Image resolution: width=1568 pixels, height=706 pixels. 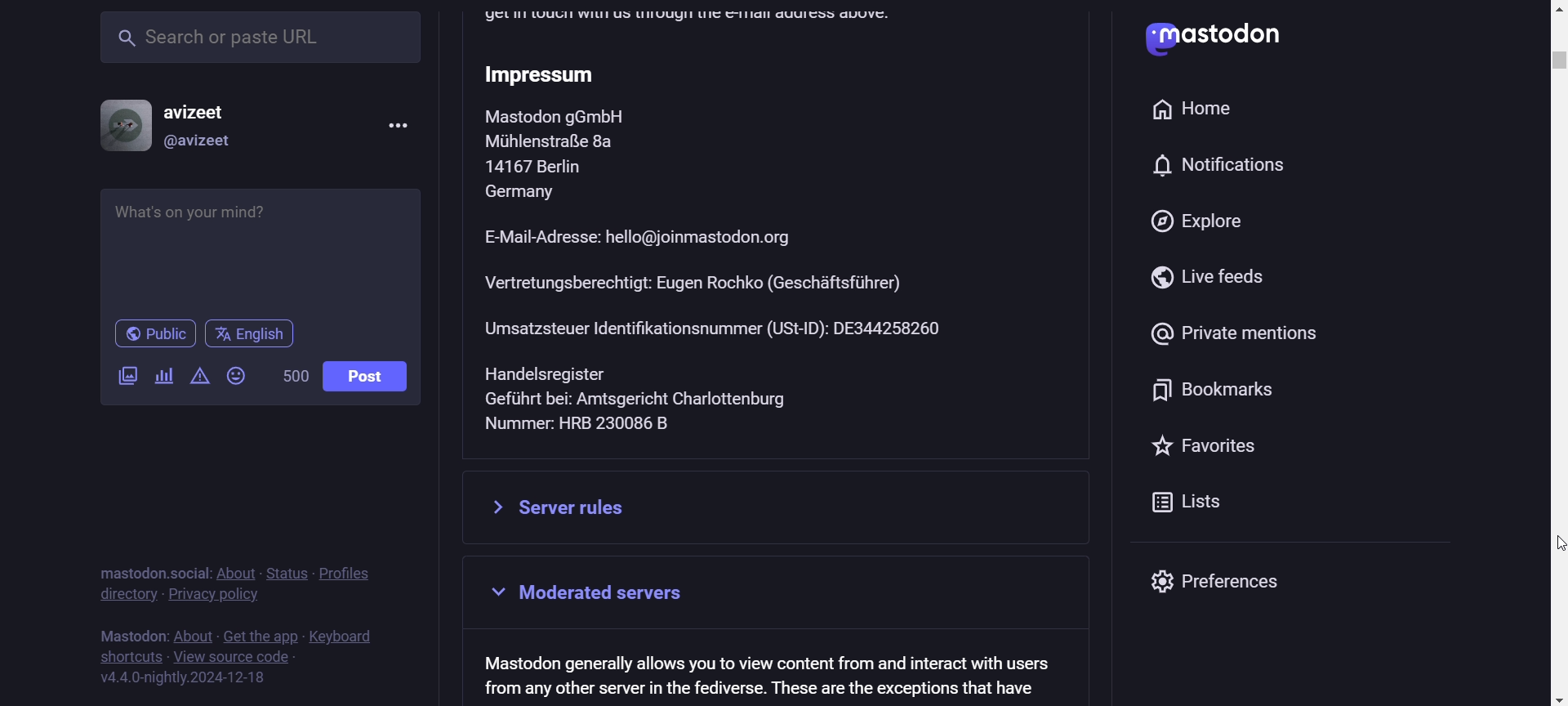 What do you see at coordinates (1189, 223) in the screenshot?
I see `explore` at bounding box center [1189, 223].